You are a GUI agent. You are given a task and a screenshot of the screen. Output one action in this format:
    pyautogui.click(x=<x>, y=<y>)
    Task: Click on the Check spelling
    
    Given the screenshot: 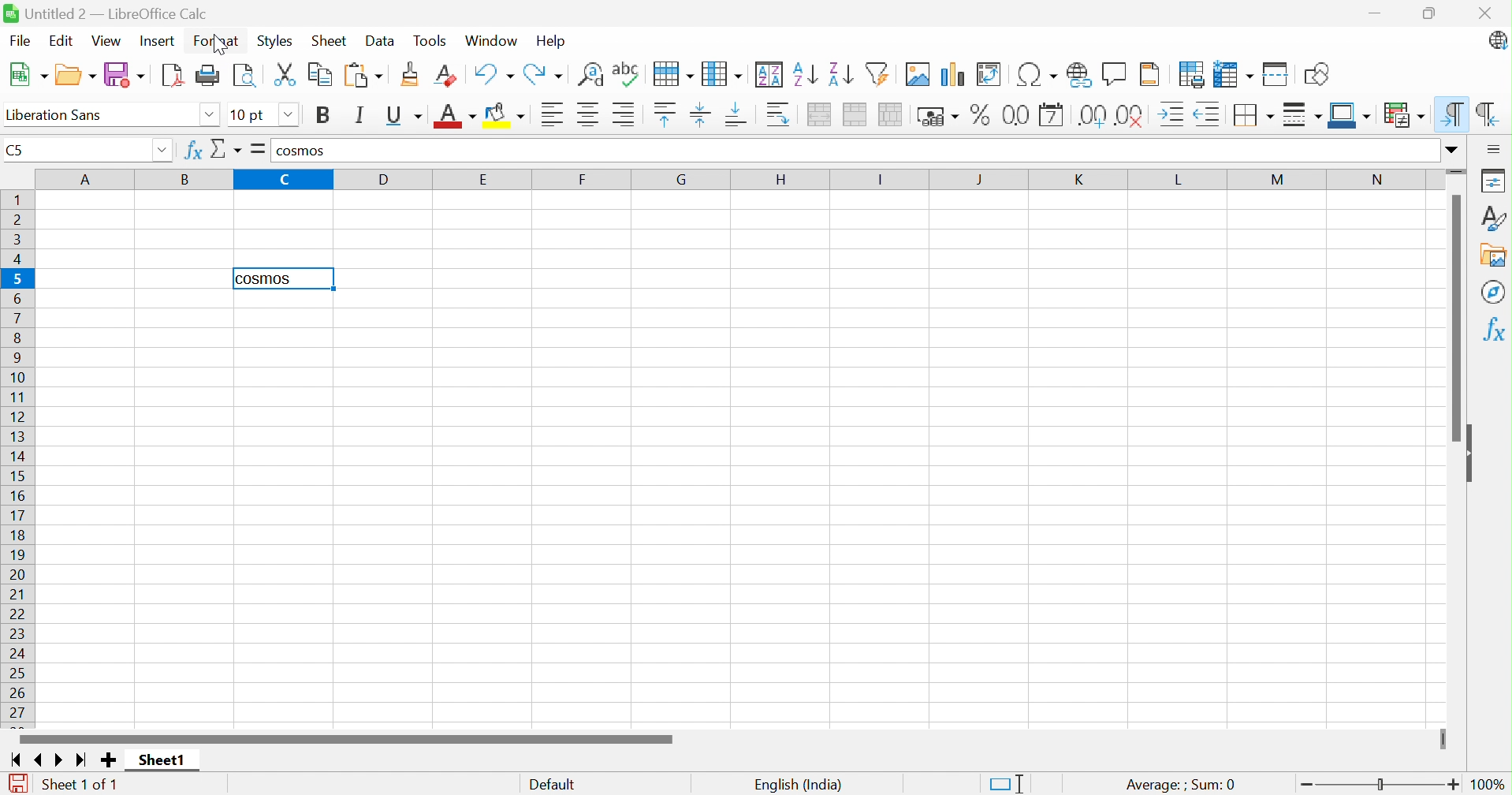 What is the action you would take?
    pyautogui.click(x=627, y=73)
    